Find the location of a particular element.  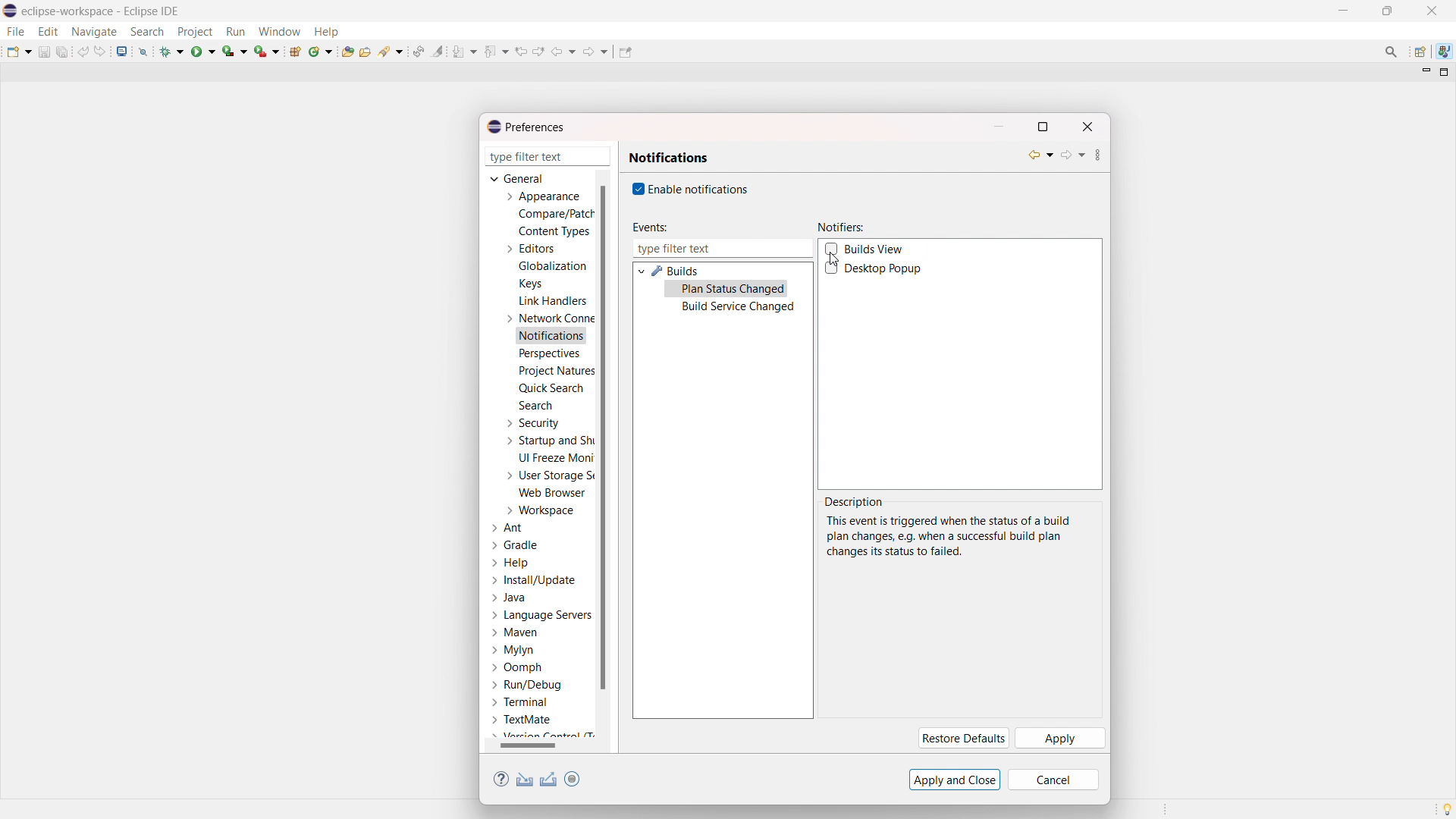

maximize view is located at coordinates (1445, 72).